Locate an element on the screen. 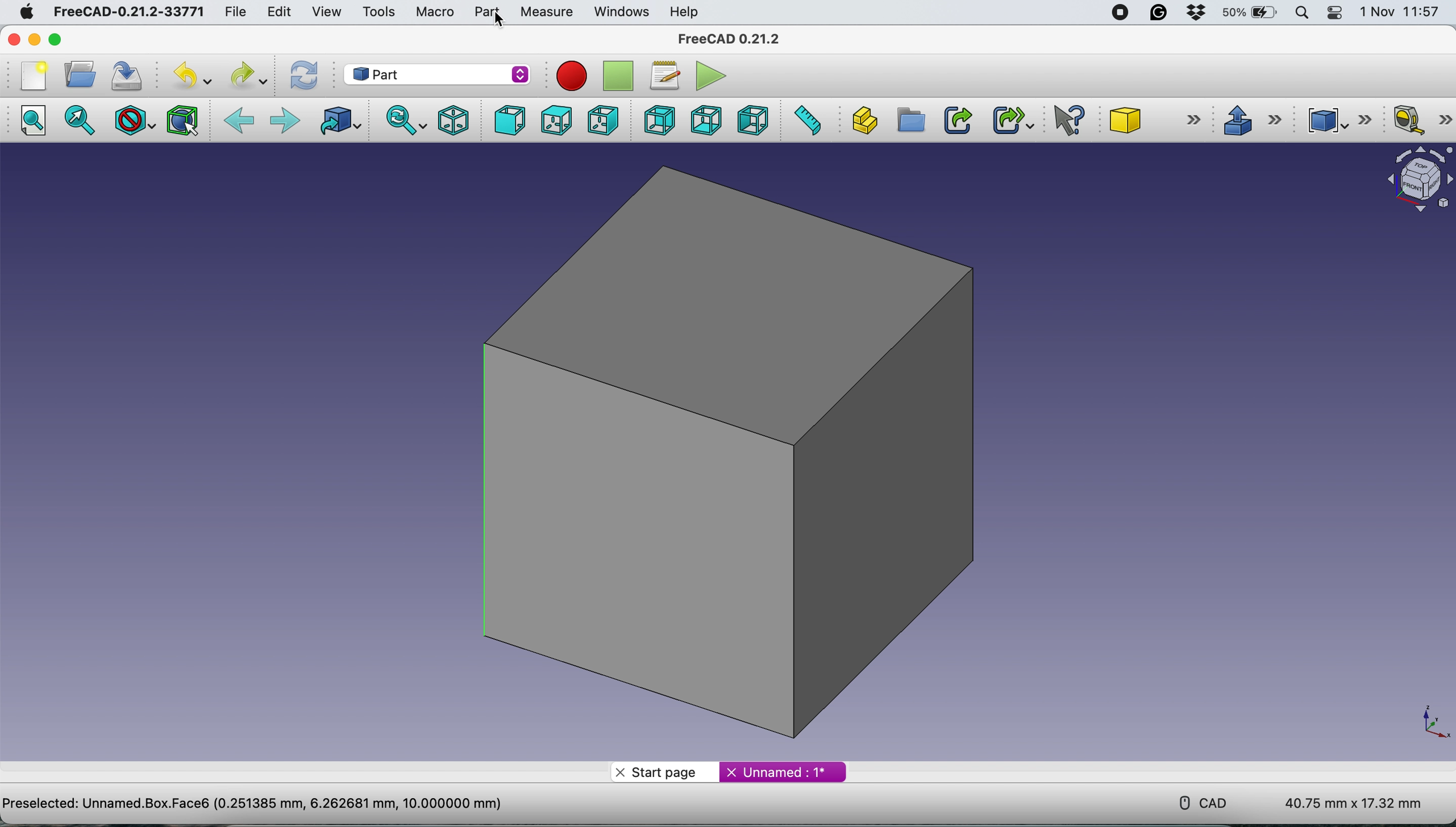 This screenshot has width=1456, height=827. measure distance is located at coordinates (806, 120).